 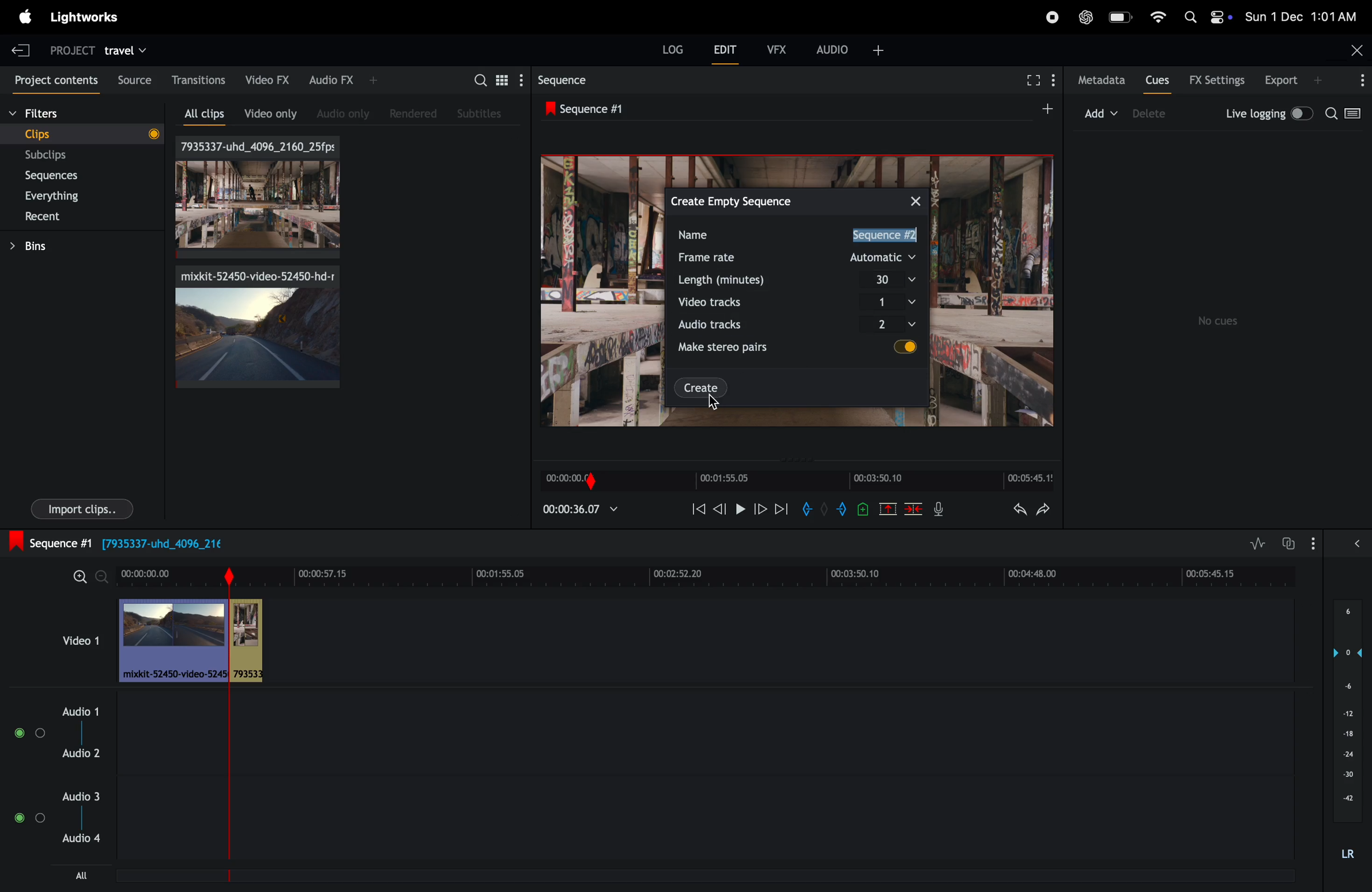 I want to click on apple menu, so click(x=25, y=17).